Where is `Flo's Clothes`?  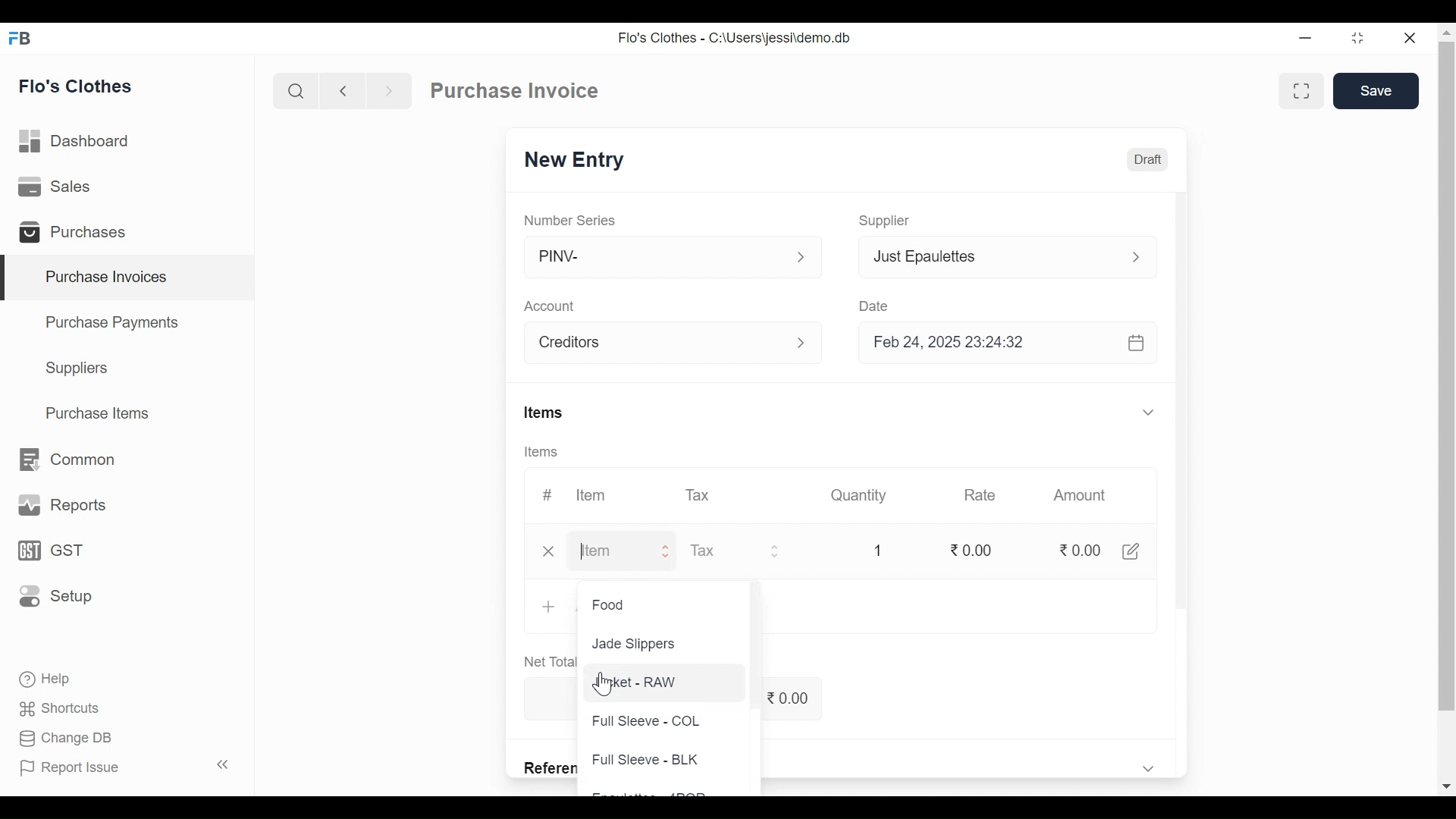 Flo's Clothes is located at coordinates (78, 86).